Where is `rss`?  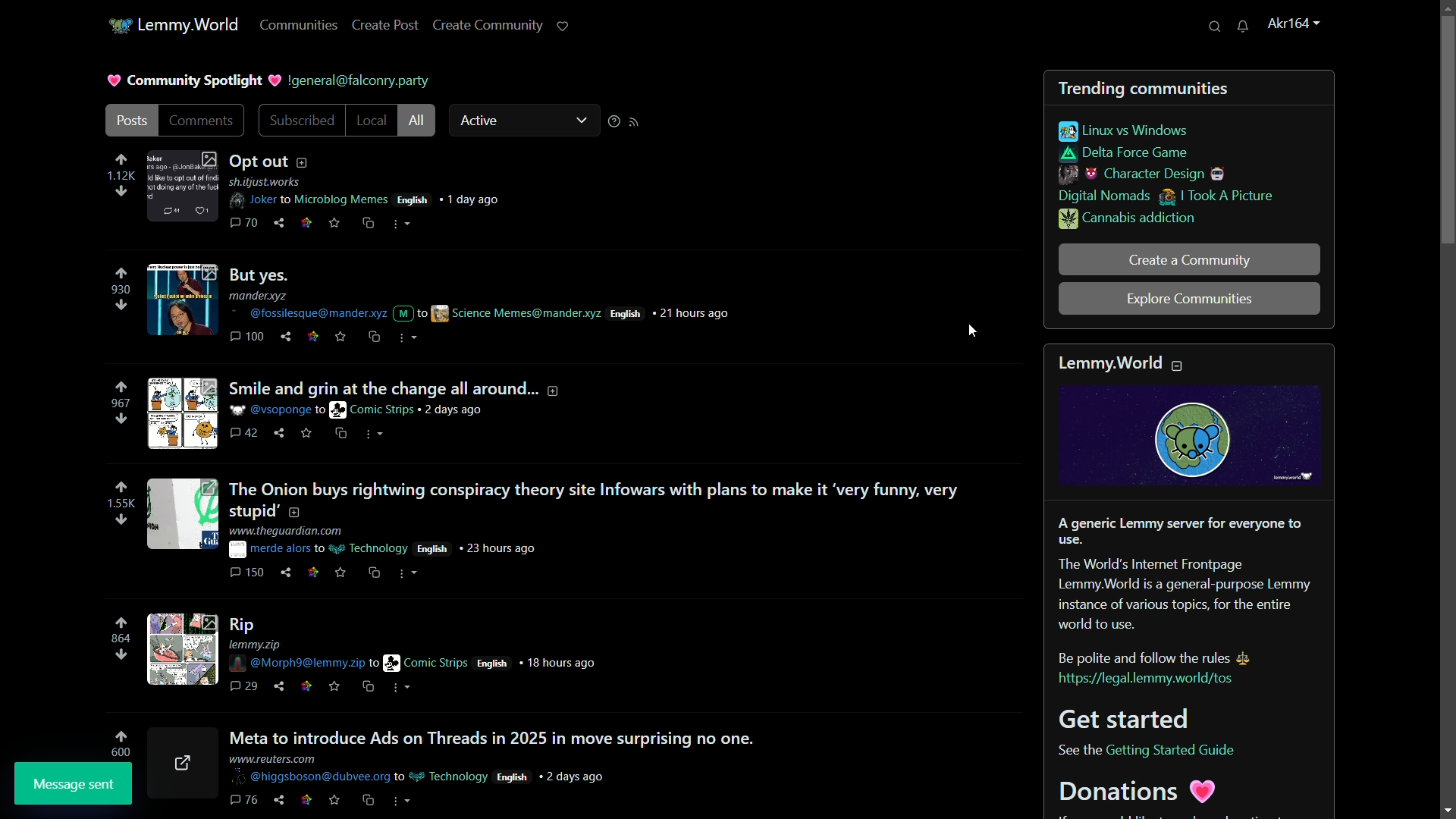 rss is located at coordinates (635, 123).